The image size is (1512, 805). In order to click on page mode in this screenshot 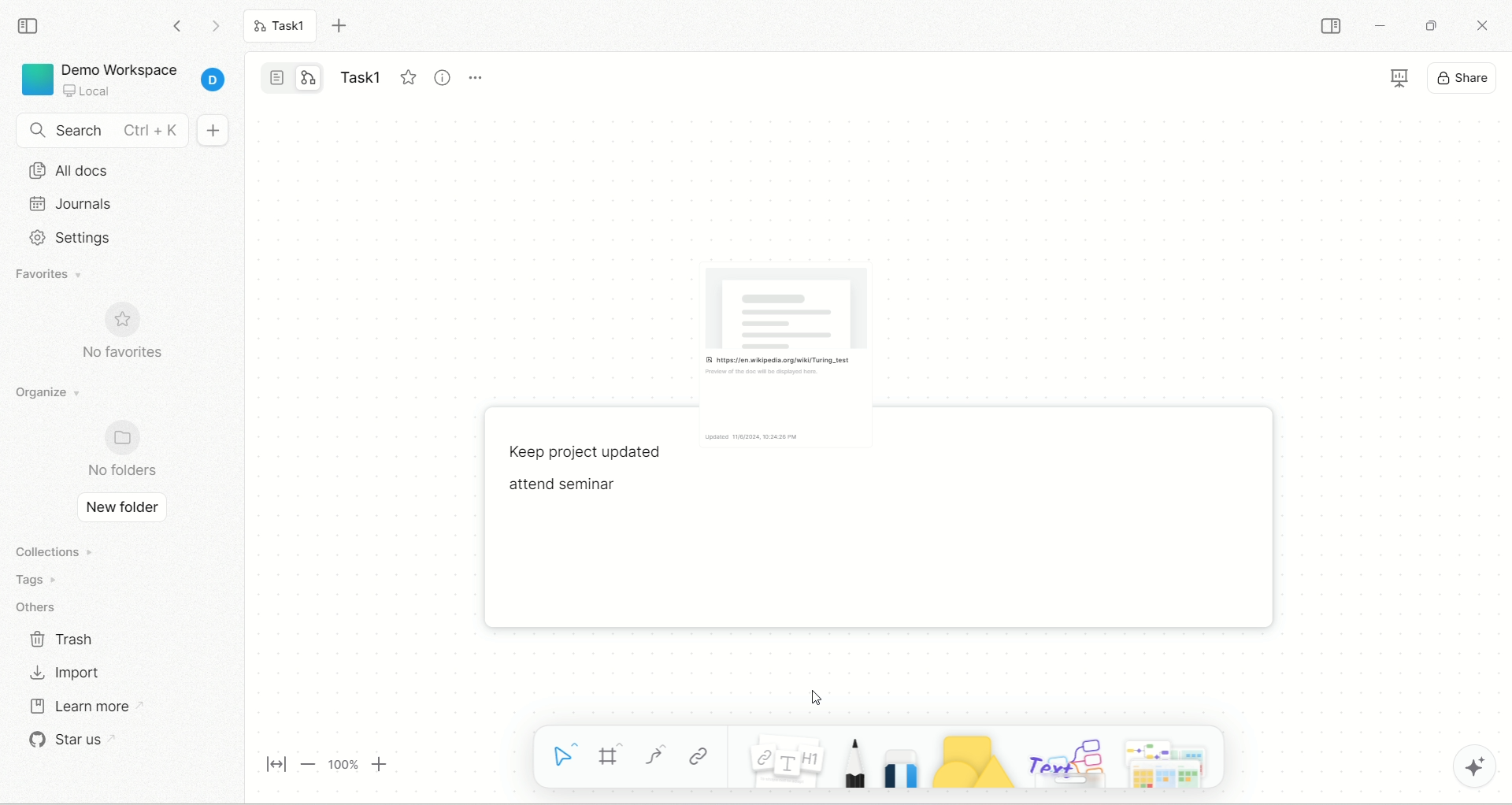, I will do `click(277, 76)`.